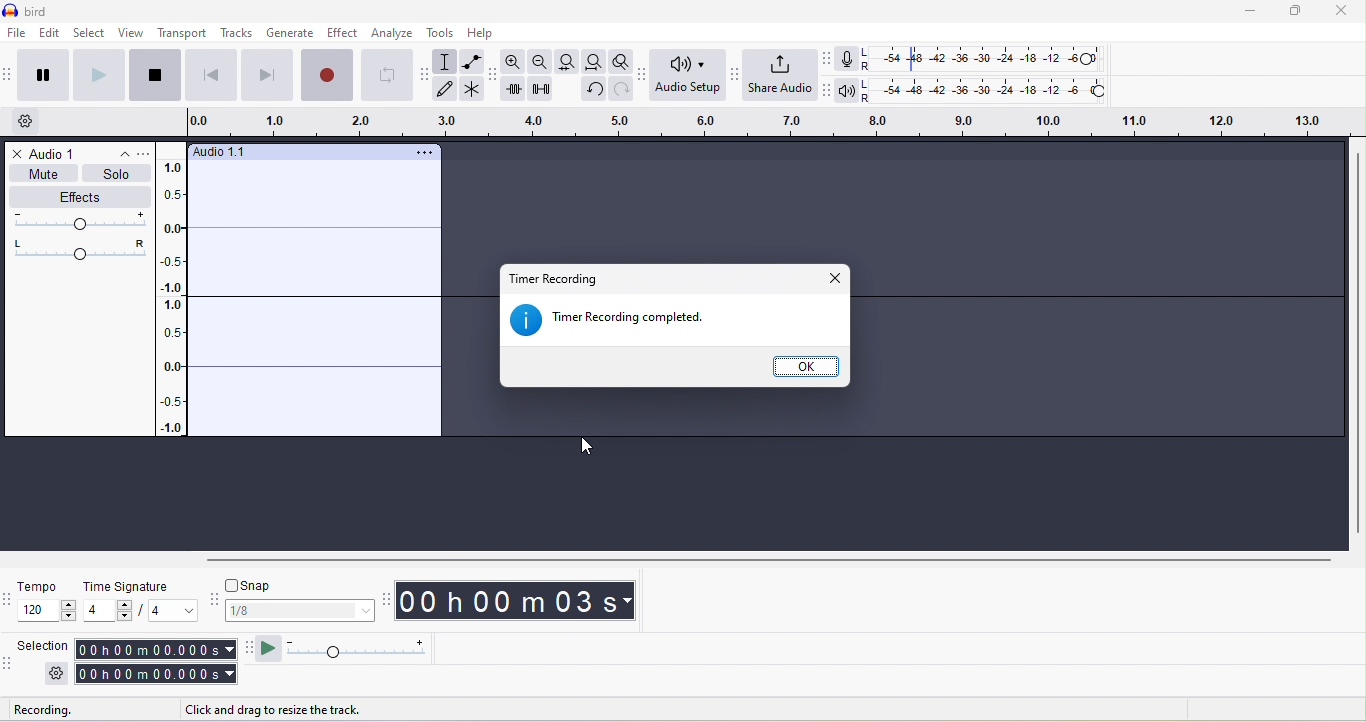 Image resolution: width=1366 pixels, height=722 pixels. I want to click on share audio, so click(780, 76).